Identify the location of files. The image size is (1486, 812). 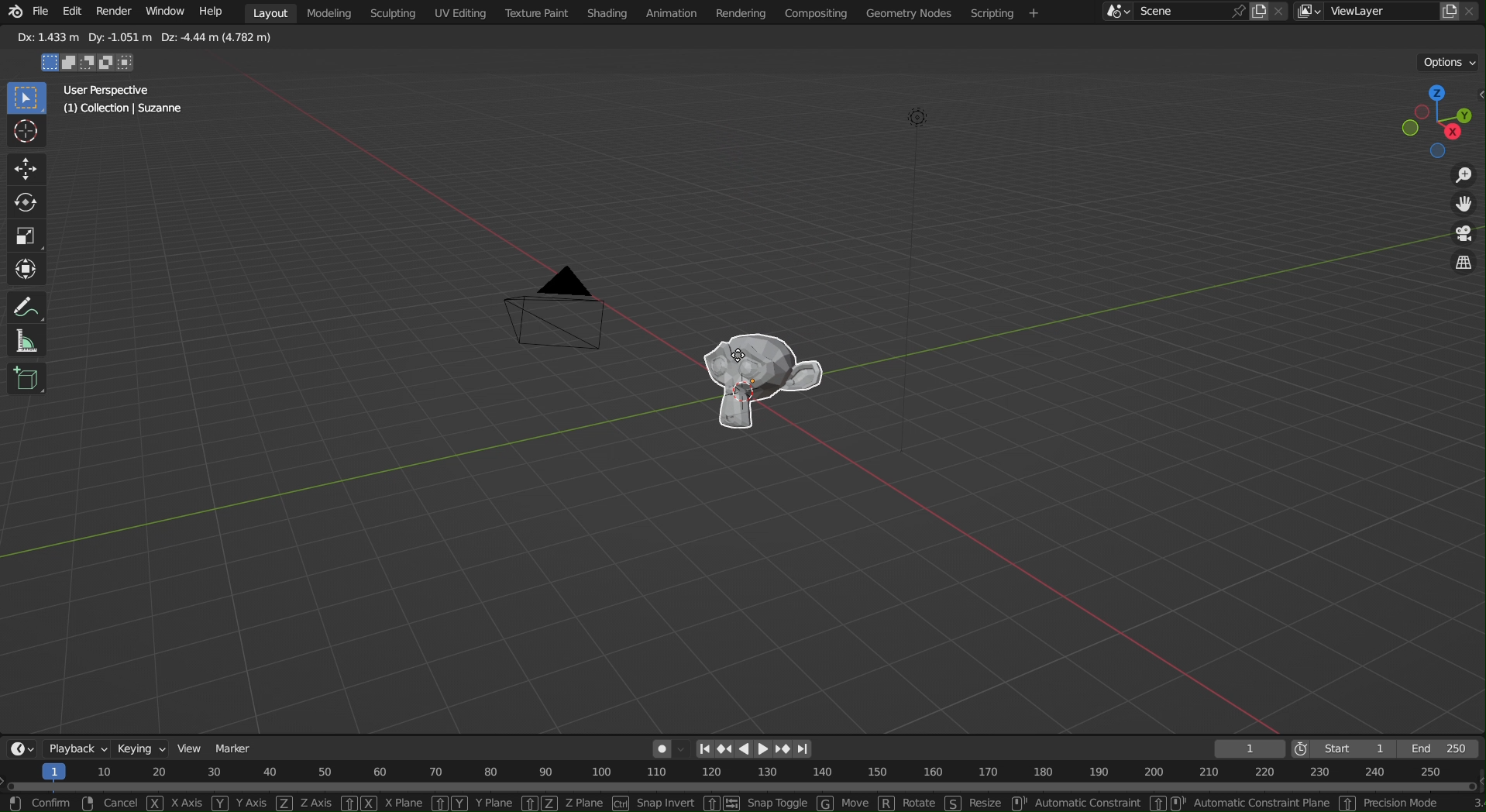
(1259, 12).